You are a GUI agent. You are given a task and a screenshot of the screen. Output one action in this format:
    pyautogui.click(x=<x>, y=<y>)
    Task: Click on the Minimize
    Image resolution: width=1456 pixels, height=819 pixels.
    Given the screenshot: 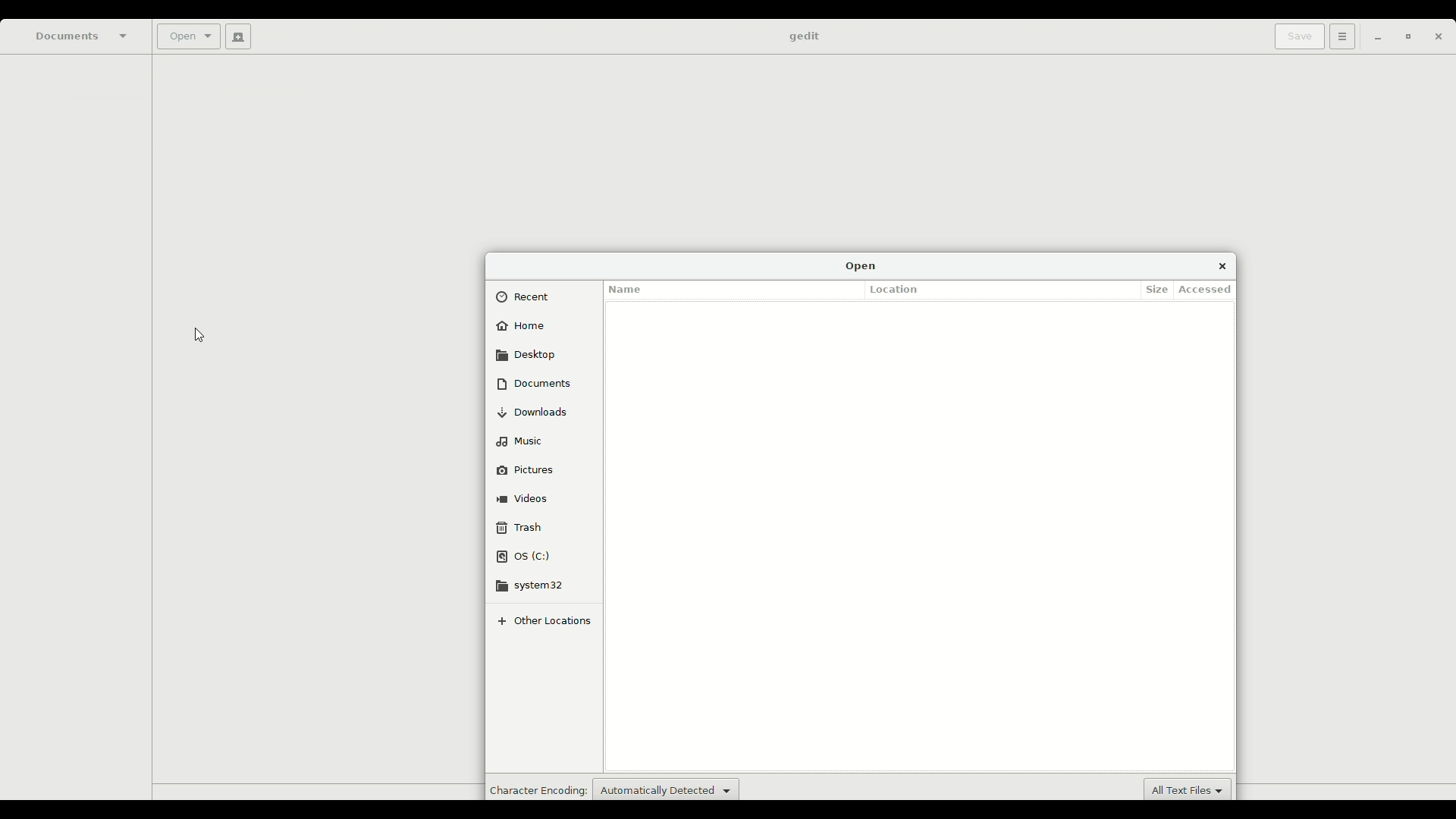 What is the action you would take?
    pyautogui.click(x=1373, y=38)
    